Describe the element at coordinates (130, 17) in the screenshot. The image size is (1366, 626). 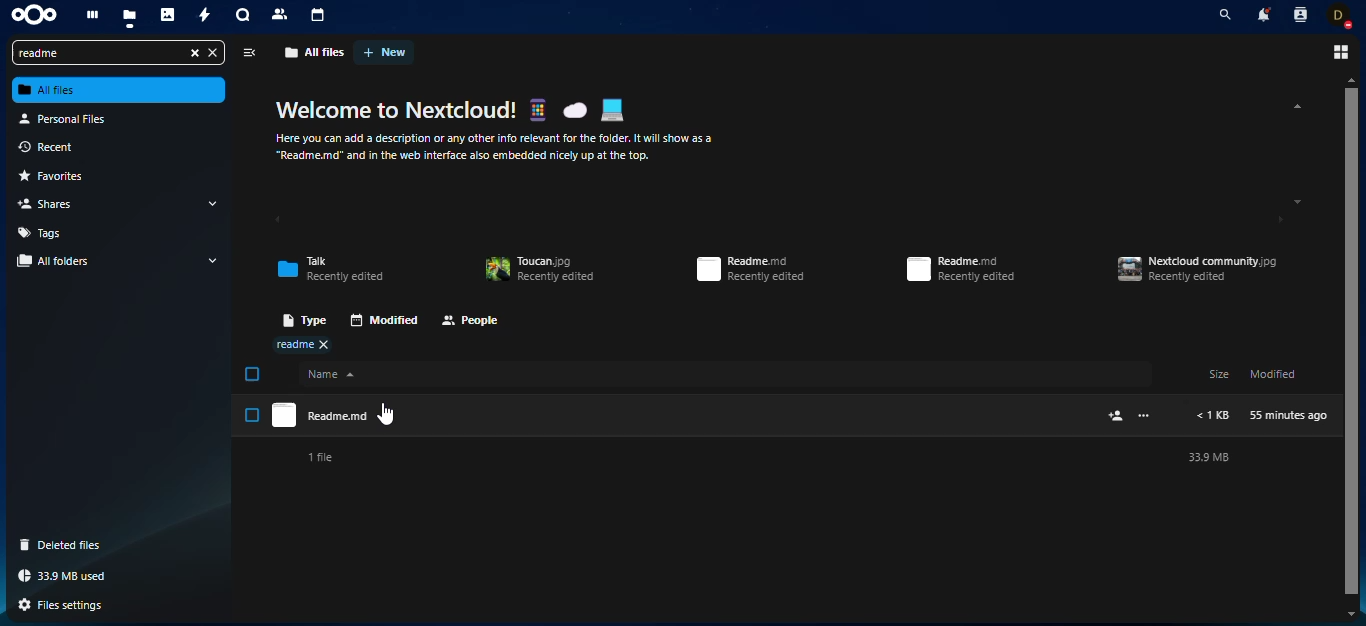
I see `files` at that location.